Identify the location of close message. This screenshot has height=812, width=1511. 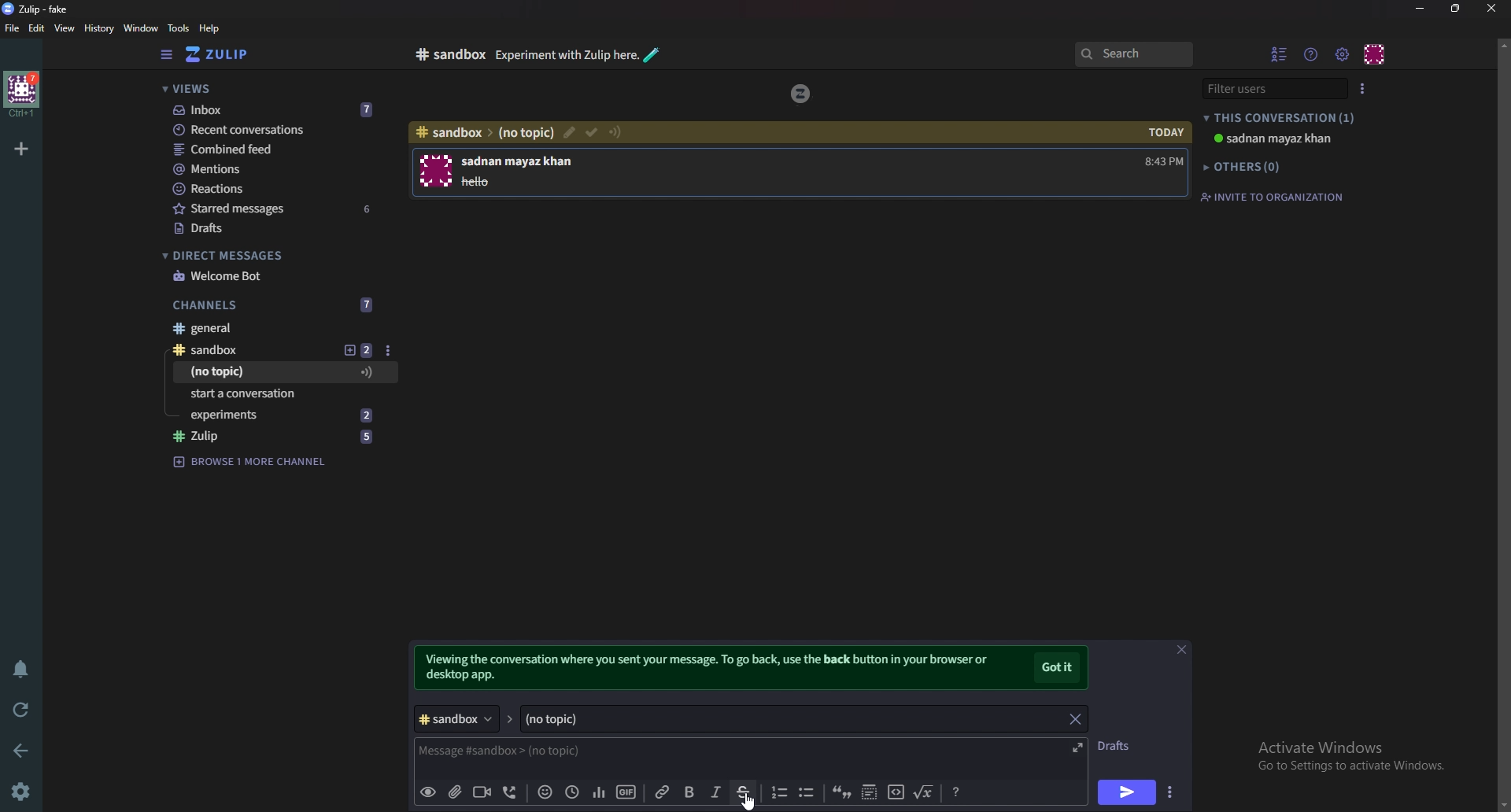
(1181, 708).